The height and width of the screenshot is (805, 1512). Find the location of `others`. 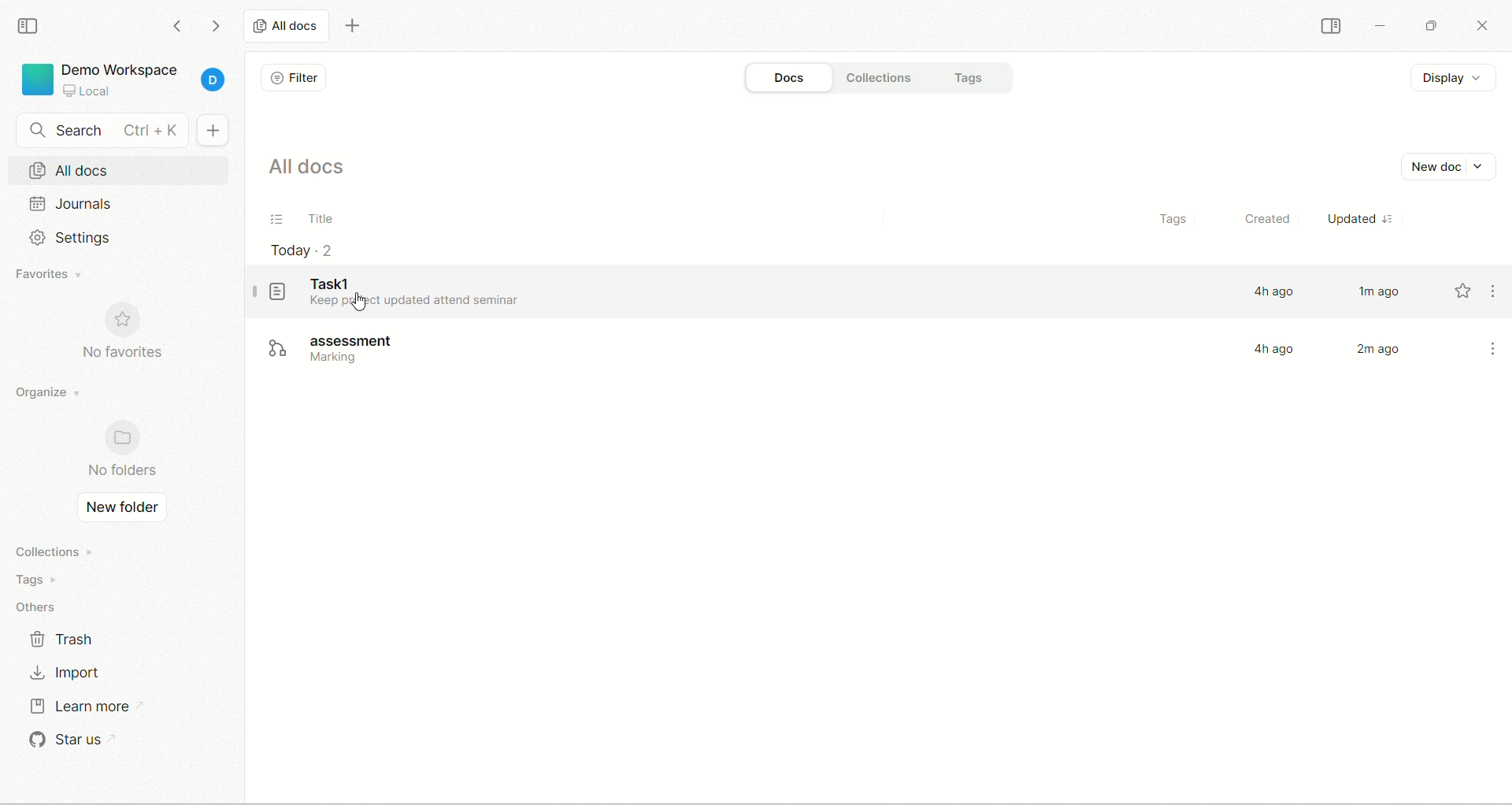

others is located at coordinates (42, 604).